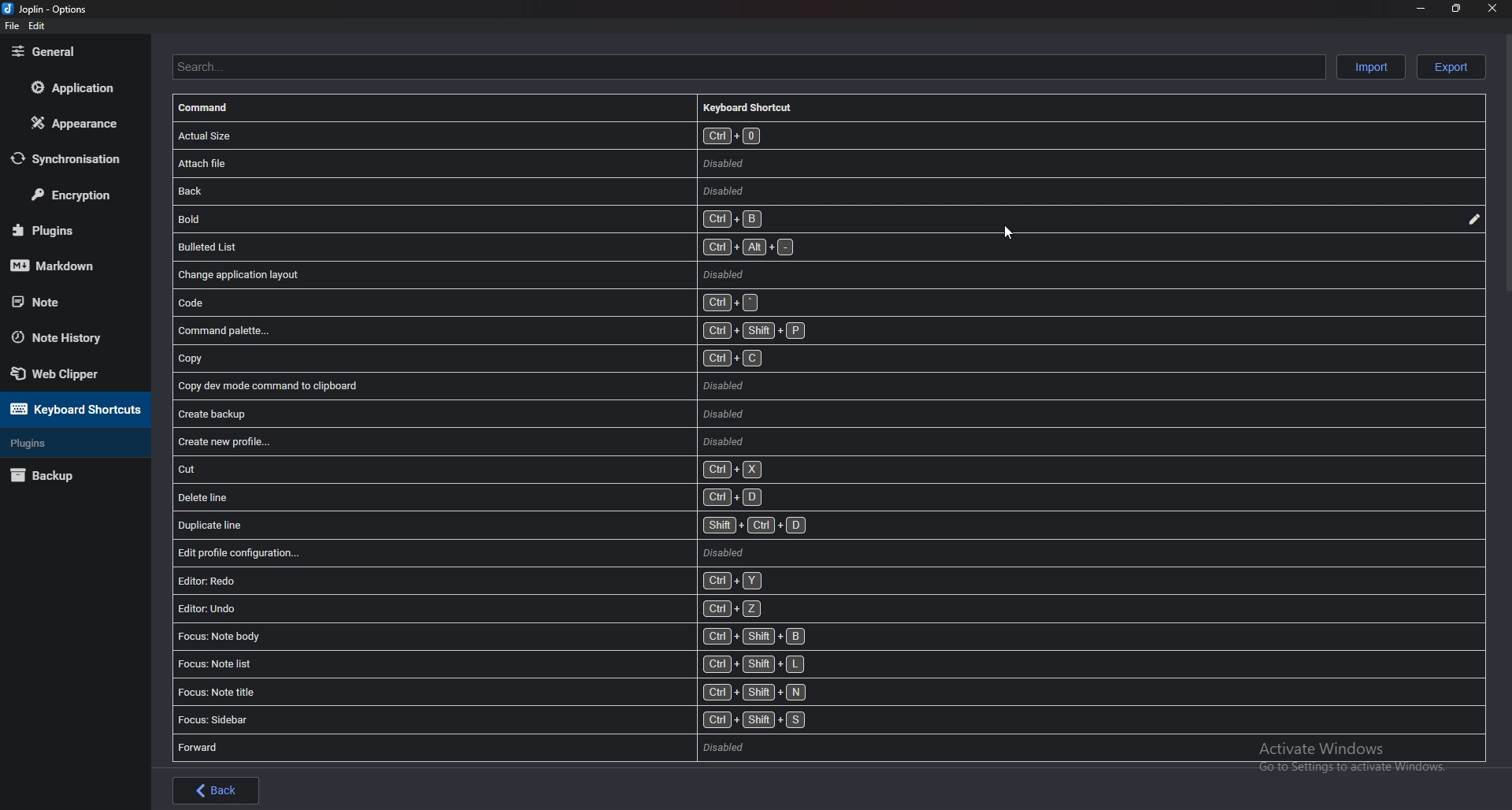 The height and width of the screenshot is (810, 1512). What do you see at coordinates (466, 747) in the screenshot?
I see `Forward Disabled` at bounding box center [466, 747].